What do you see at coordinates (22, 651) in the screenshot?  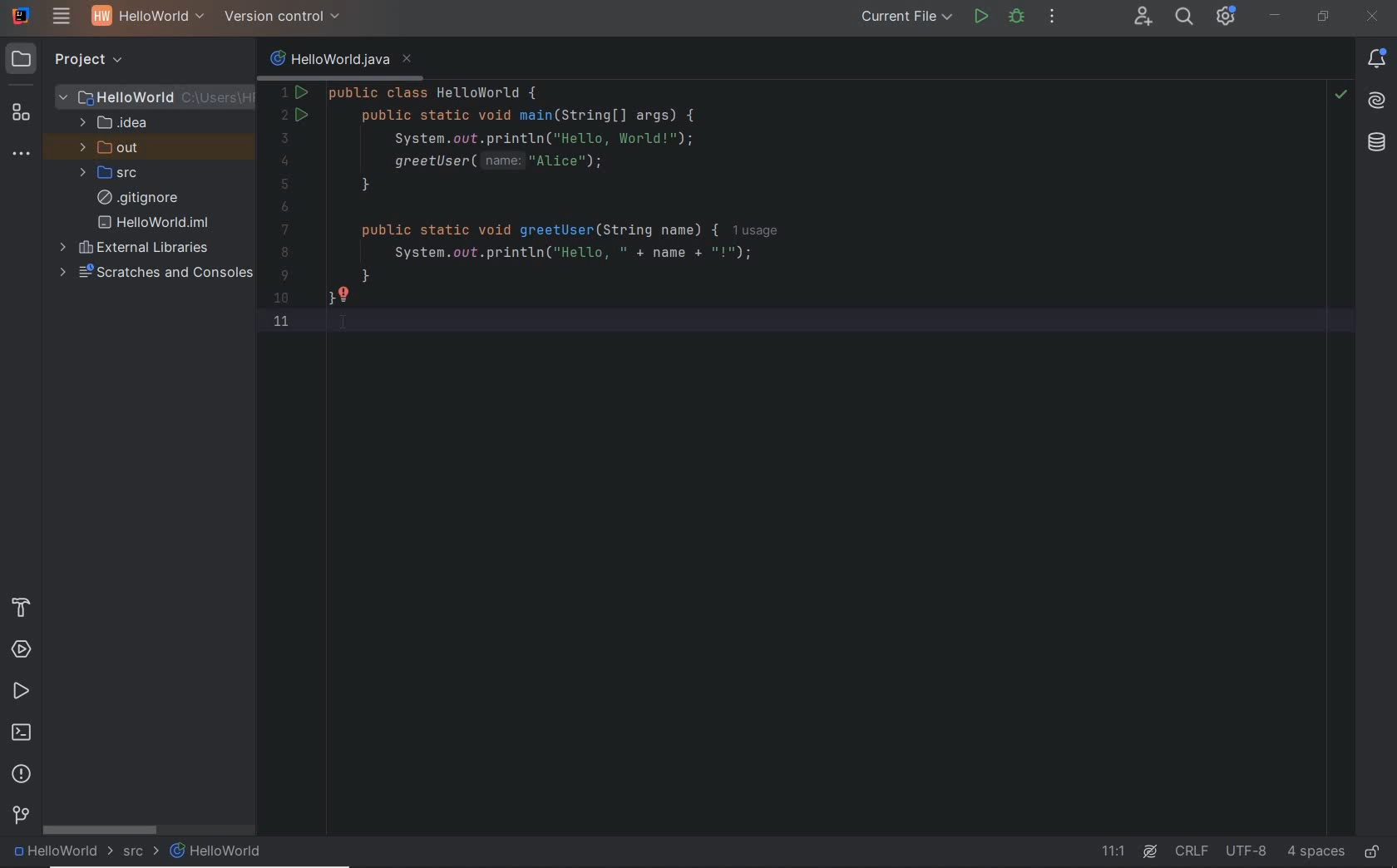 I see `services` at bounding box center [22, 651].